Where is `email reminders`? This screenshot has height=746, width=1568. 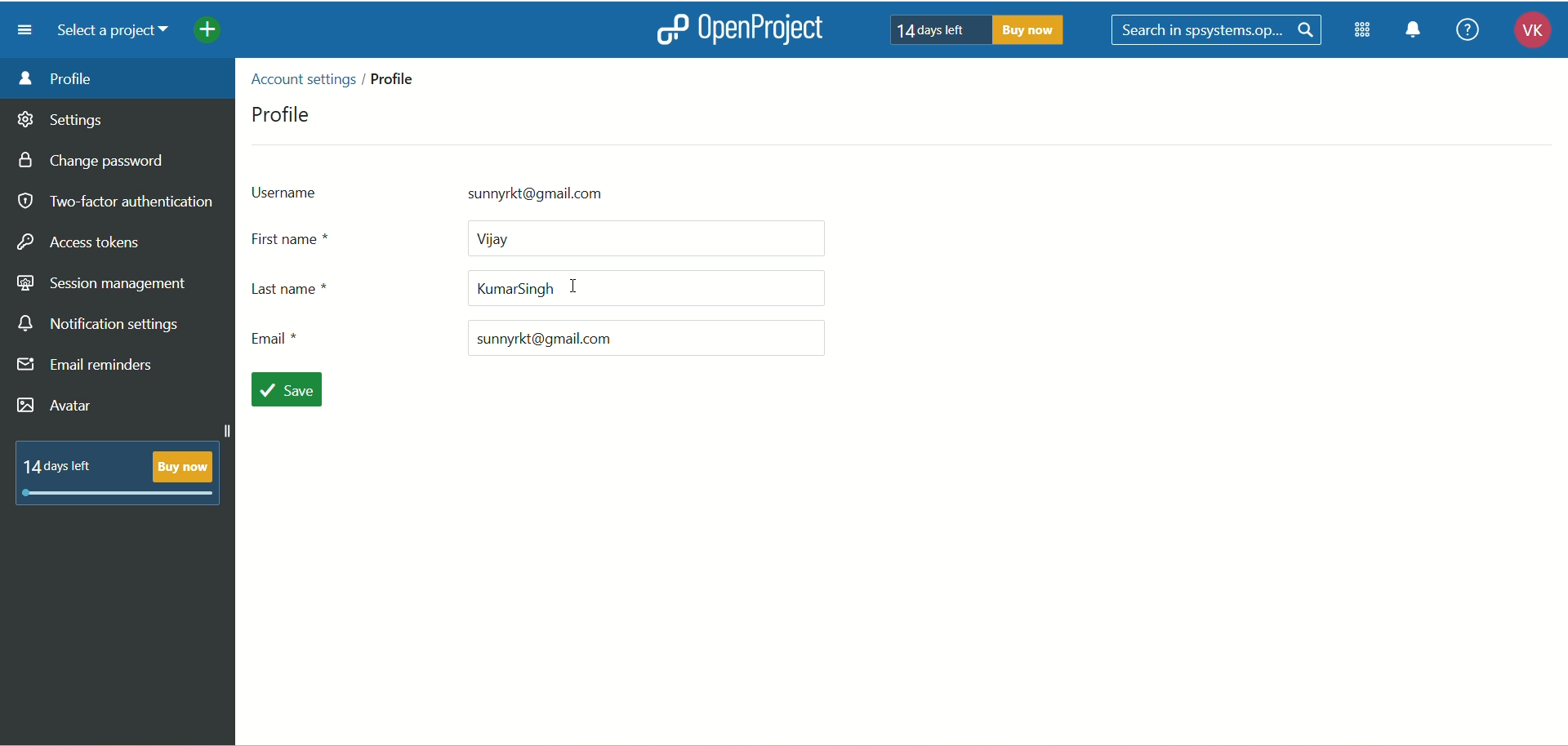 email reminders is located at coordinates (87, 368).